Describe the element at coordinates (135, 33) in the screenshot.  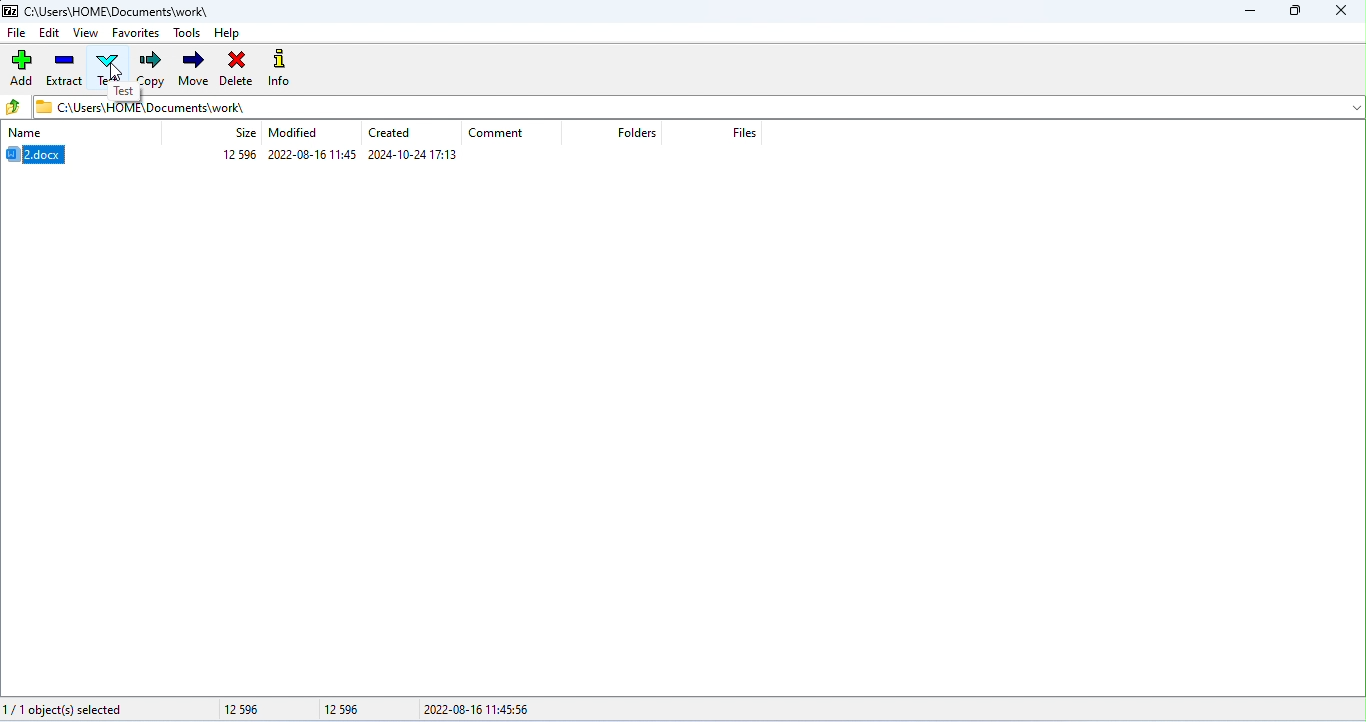
I see `favorite` at that location.